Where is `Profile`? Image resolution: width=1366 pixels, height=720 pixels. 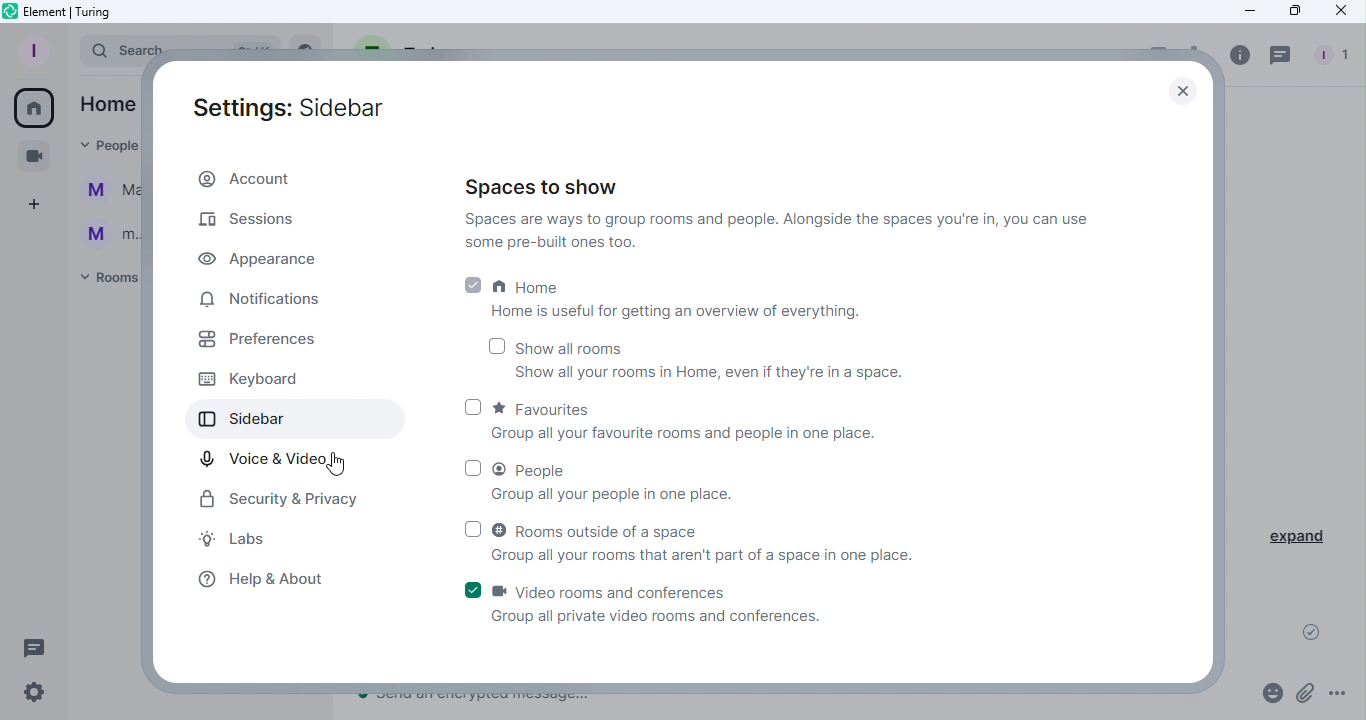
Profile is located at coordinates (33, 49).